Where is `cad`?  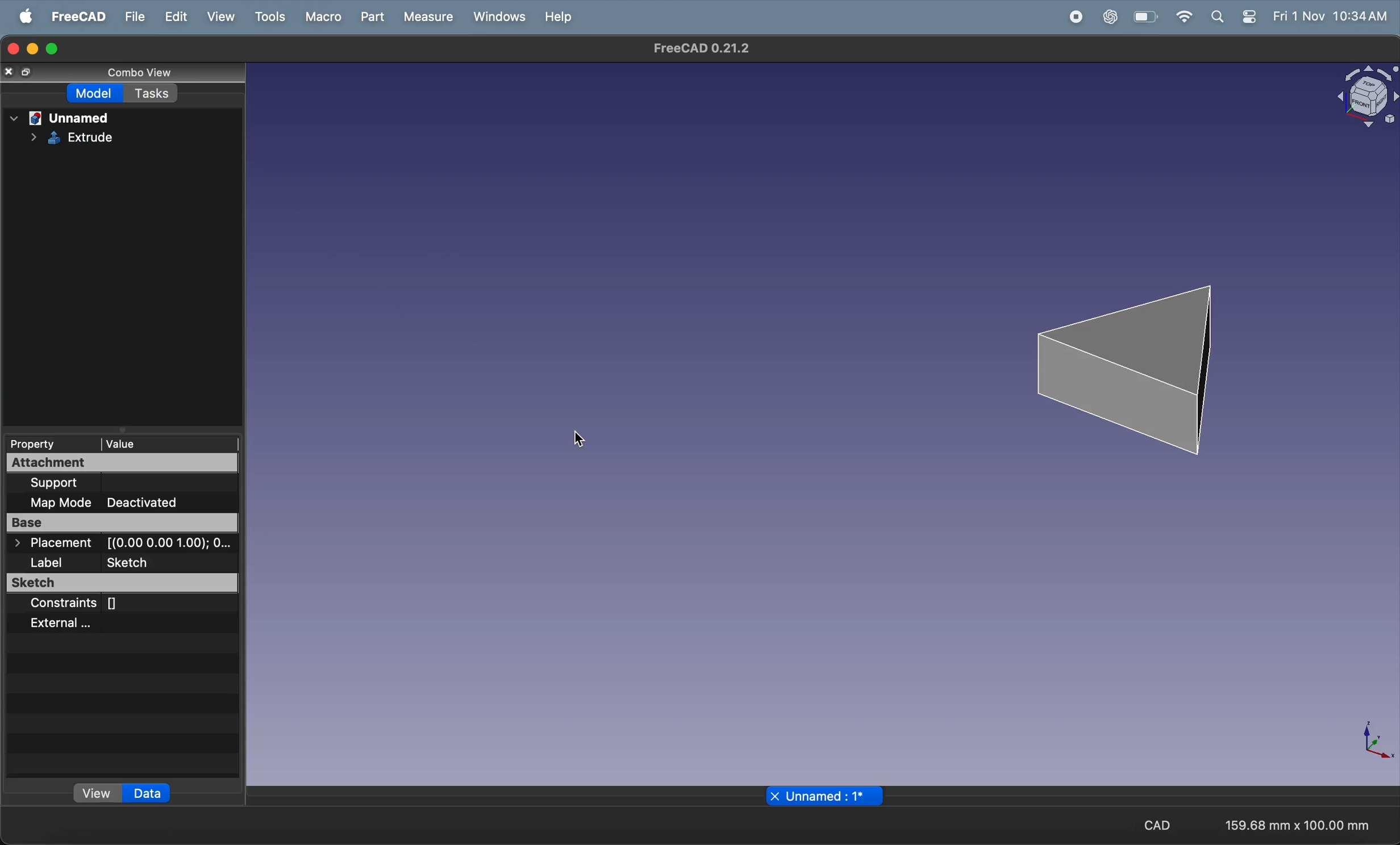 cad is located at coordinates (1162, 826).